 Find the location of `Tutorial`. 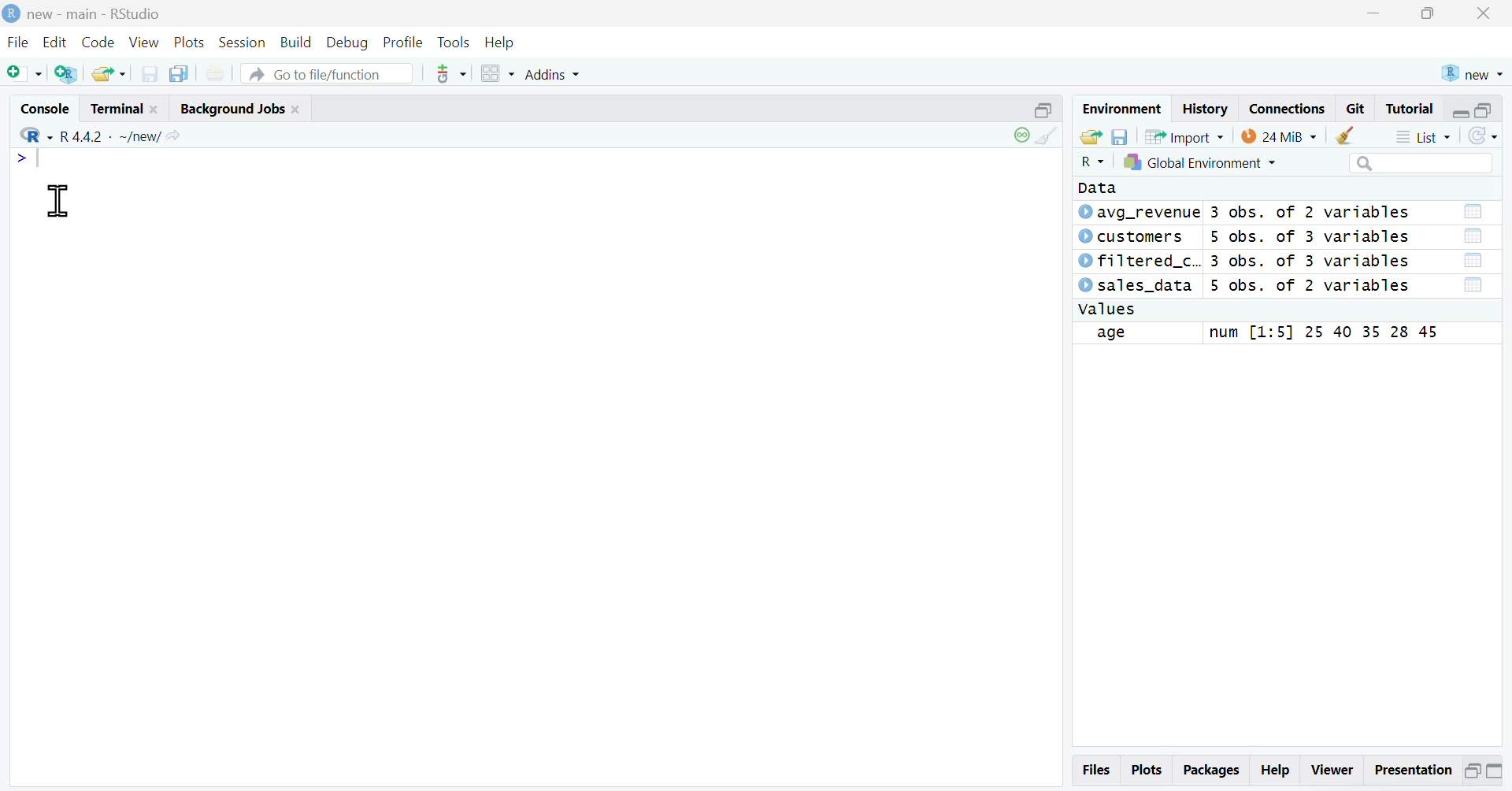

Tutorial is located at coordinates (1408, 109).